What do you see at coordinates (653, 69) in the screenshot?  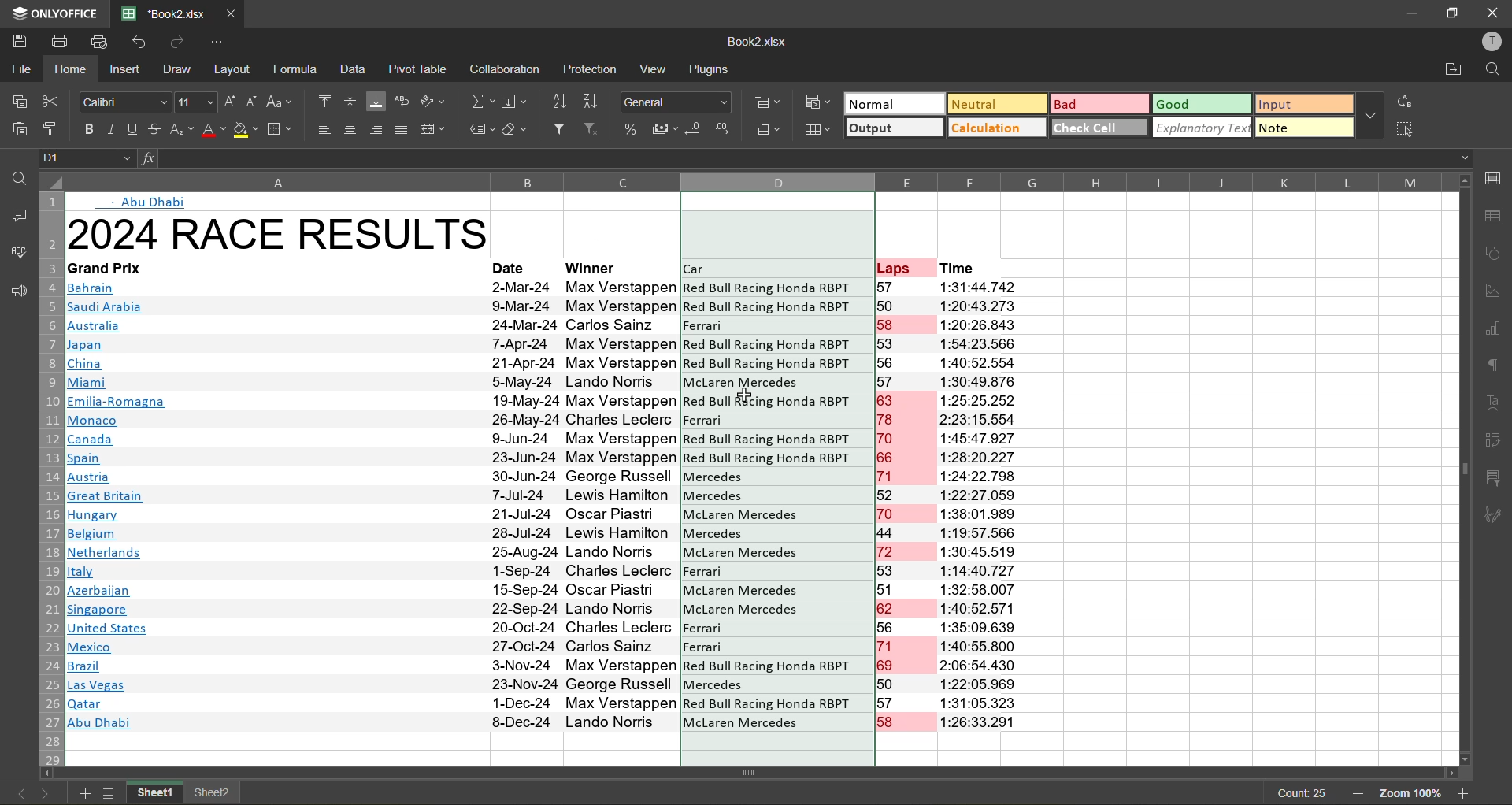 I see `view` at bounding box center [653, 69].